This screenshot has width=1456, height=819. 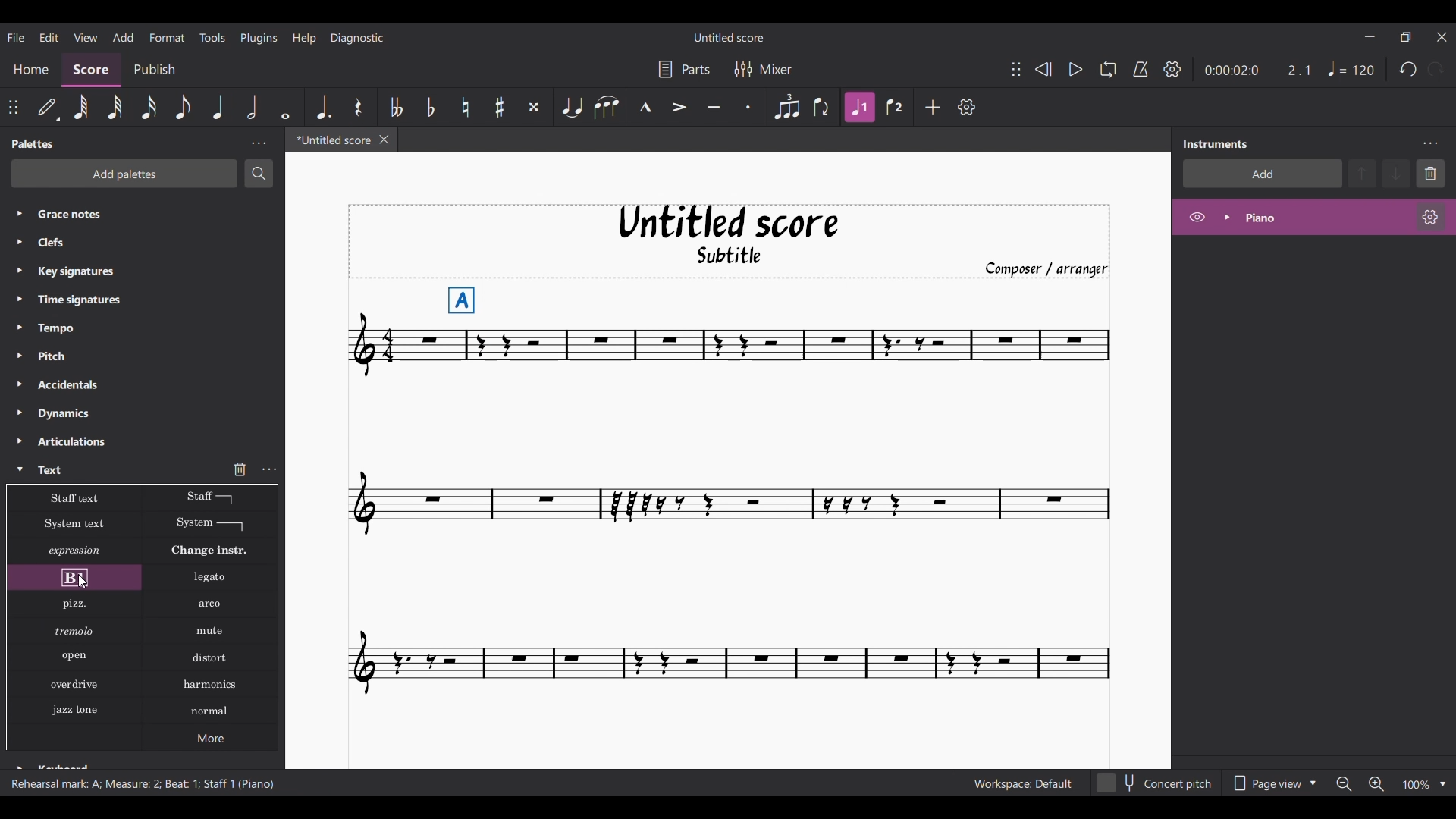 What do you see at coordinates (124, 174) in the screenshot?
I see `Add palettes` at bounding box center [124, 174].